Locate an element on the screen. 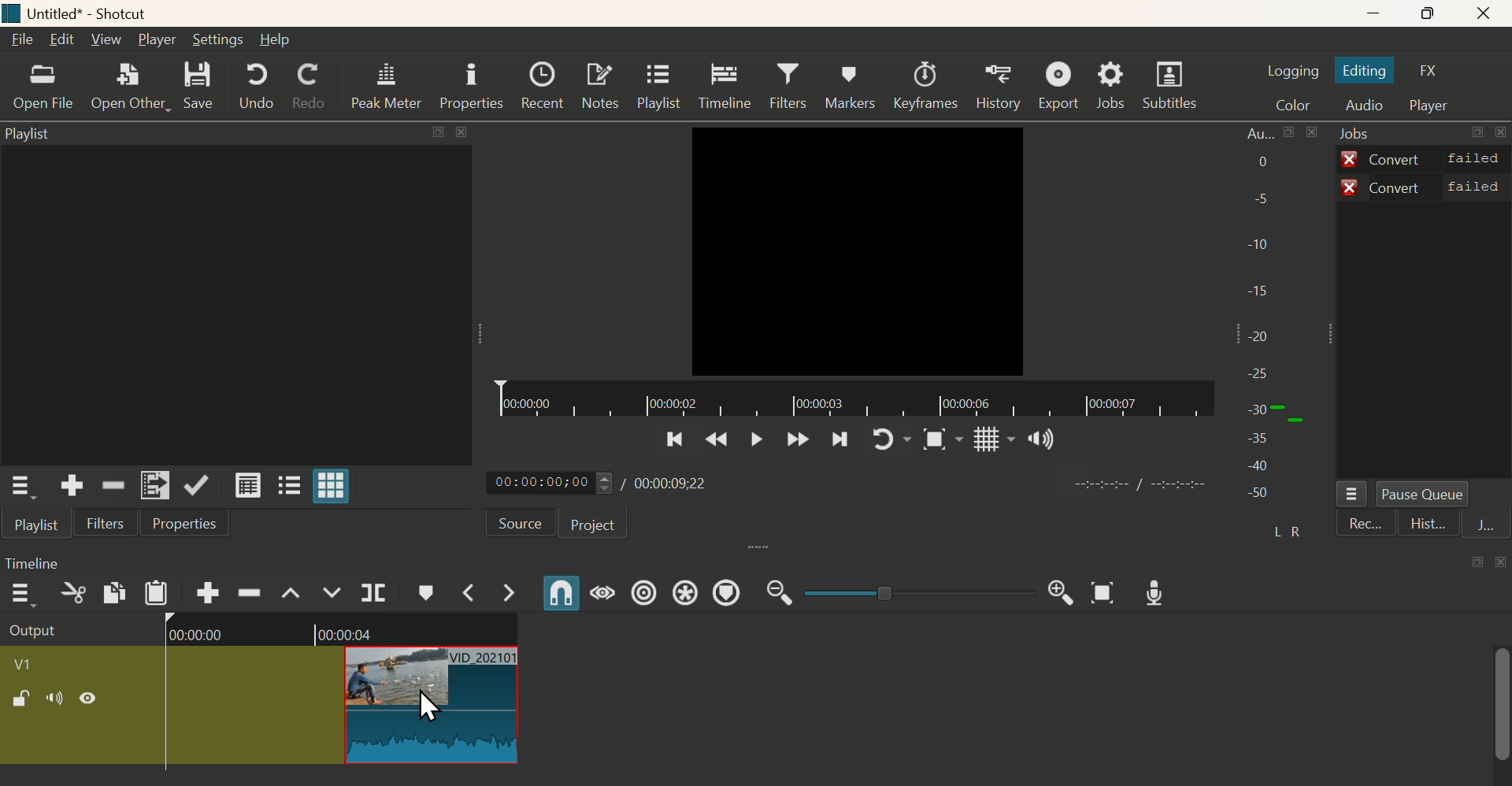 Image resolution: width=1512 pixels, height=786 pixels. Paste is located at coordinates (159, 595).